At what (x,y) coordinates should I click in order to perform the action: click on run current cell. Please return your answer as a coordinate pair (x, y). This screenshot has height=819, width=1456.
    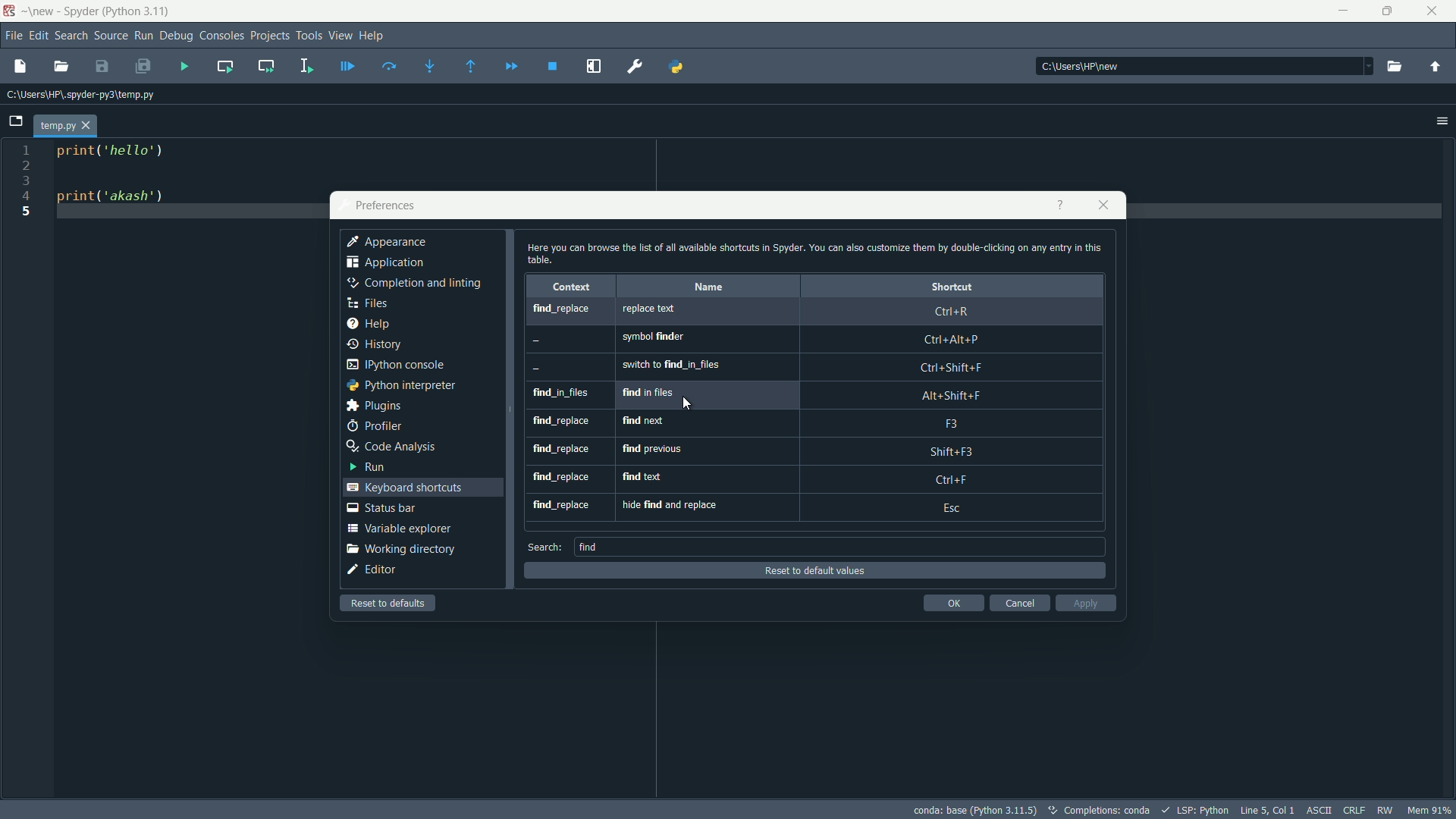
    Looking at the image, I should click on (225, 67).